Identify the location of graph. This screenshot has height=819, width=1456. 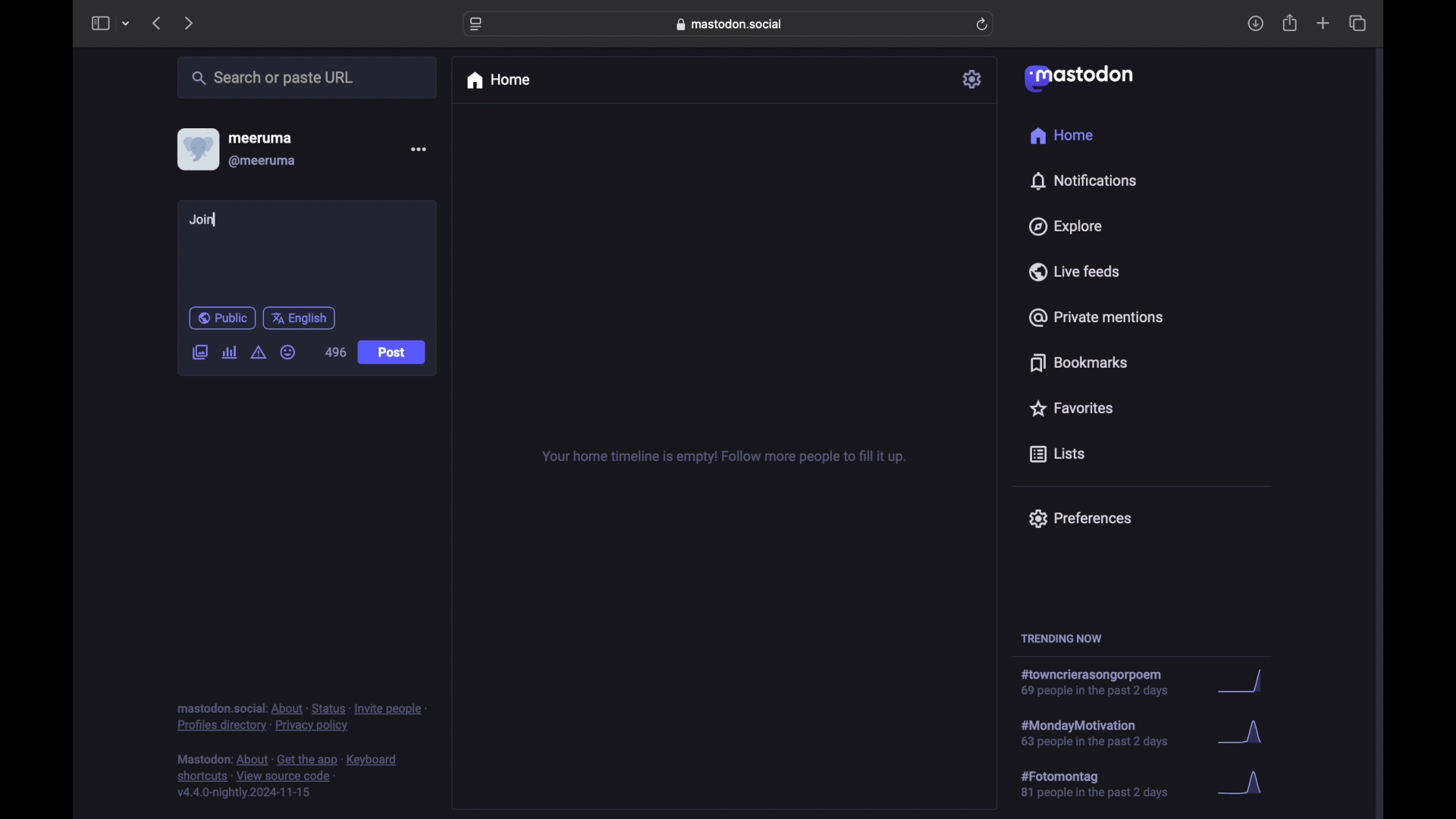
(1240, 682).